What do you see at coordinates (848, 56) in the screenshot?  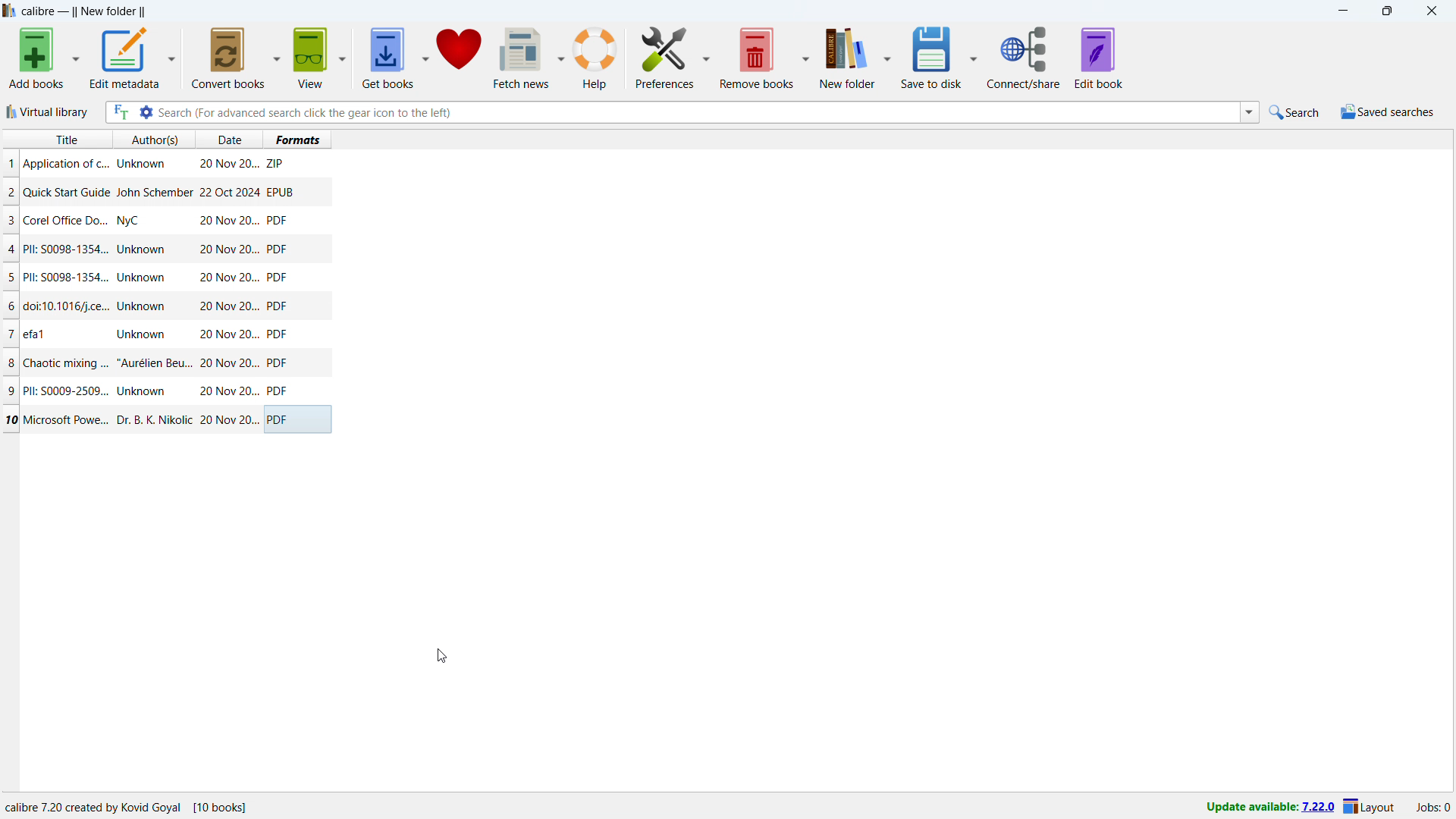 I see `new folder ` at bounding box center [848, 56].